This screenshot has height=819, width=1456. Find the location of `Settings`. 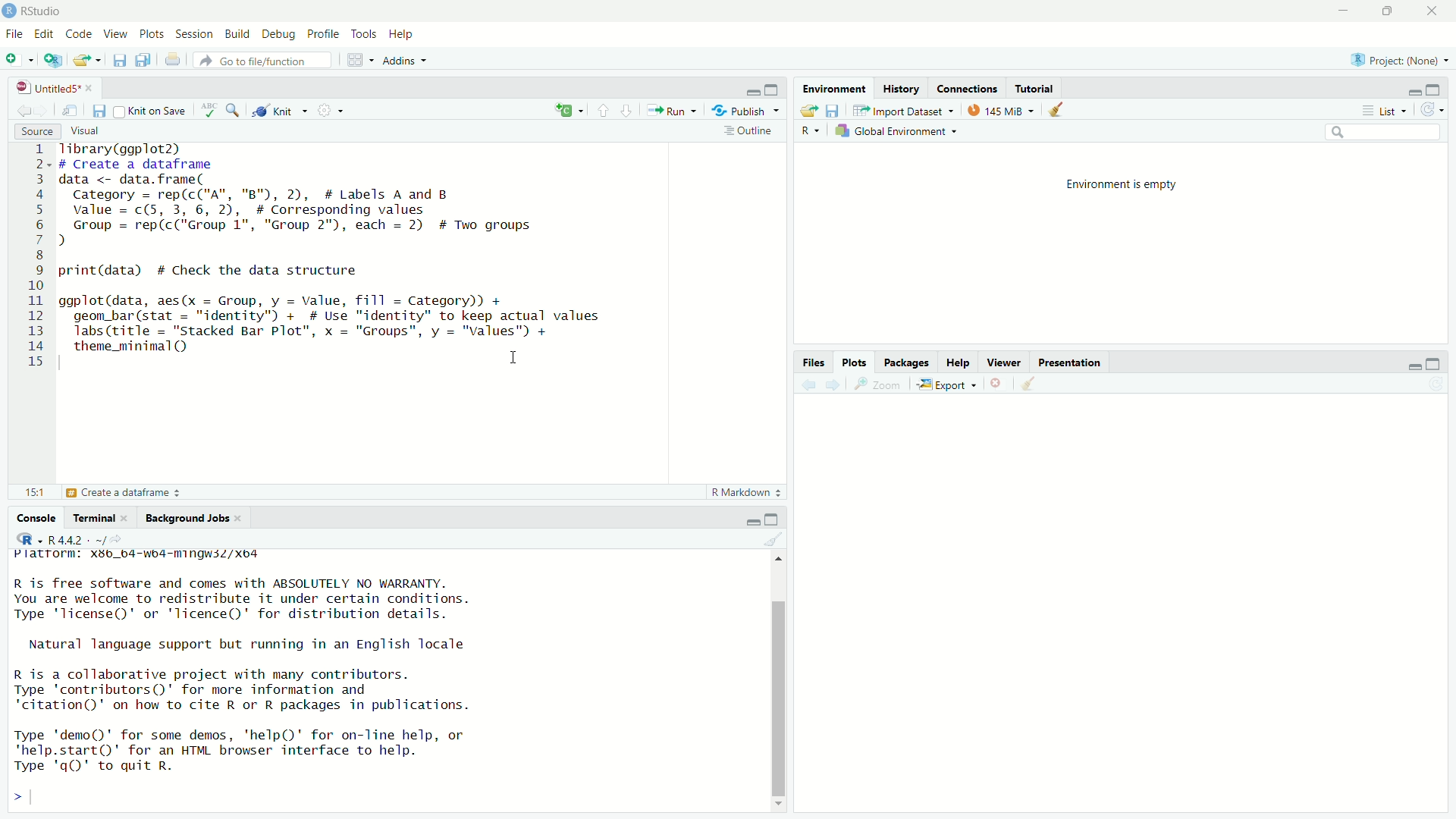

Settings is located at coordinates (331, 109).